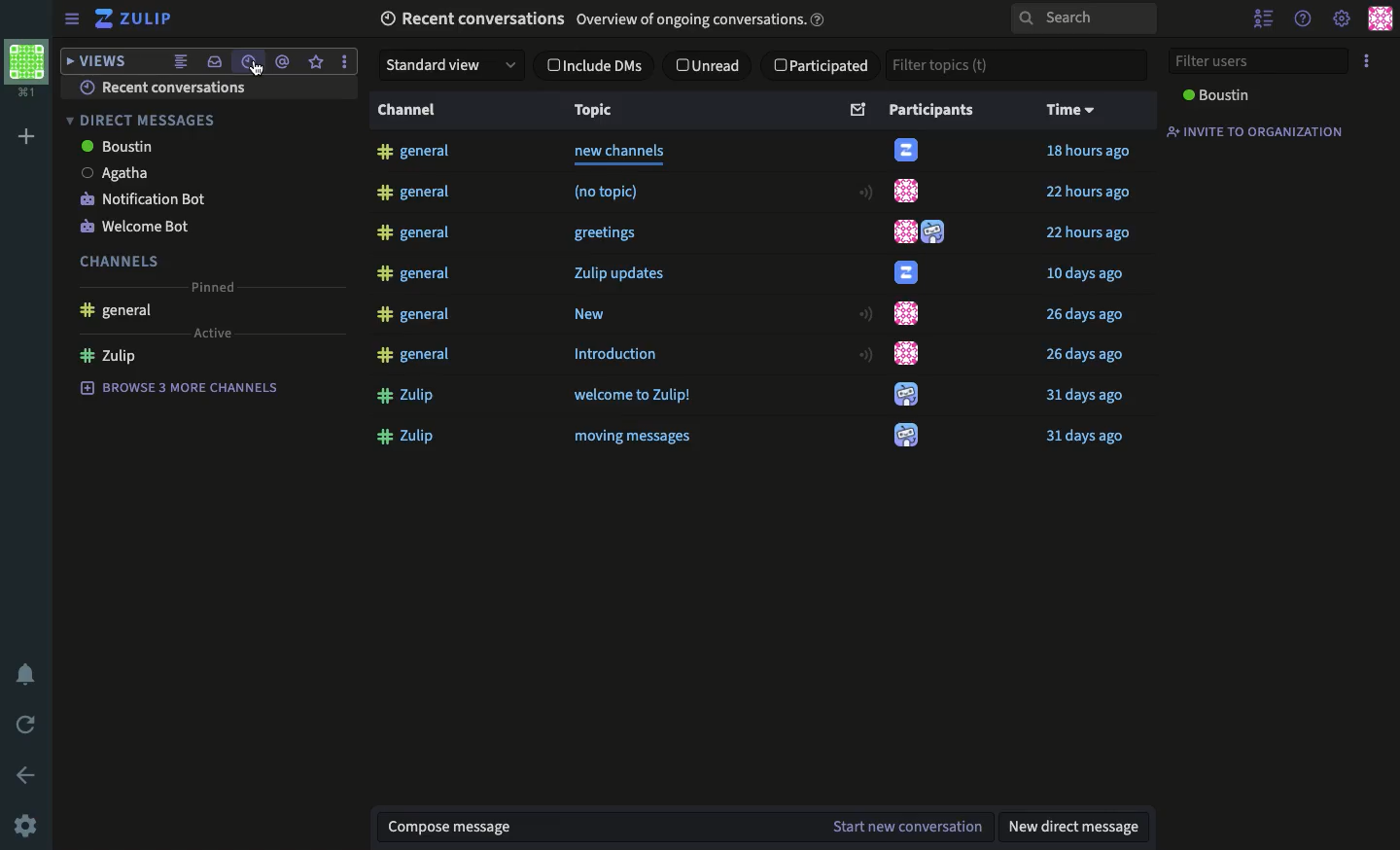  What do you see at coordinates (407, 116) in the screenshot?
I see `channel` at bounding box center [407, 116].